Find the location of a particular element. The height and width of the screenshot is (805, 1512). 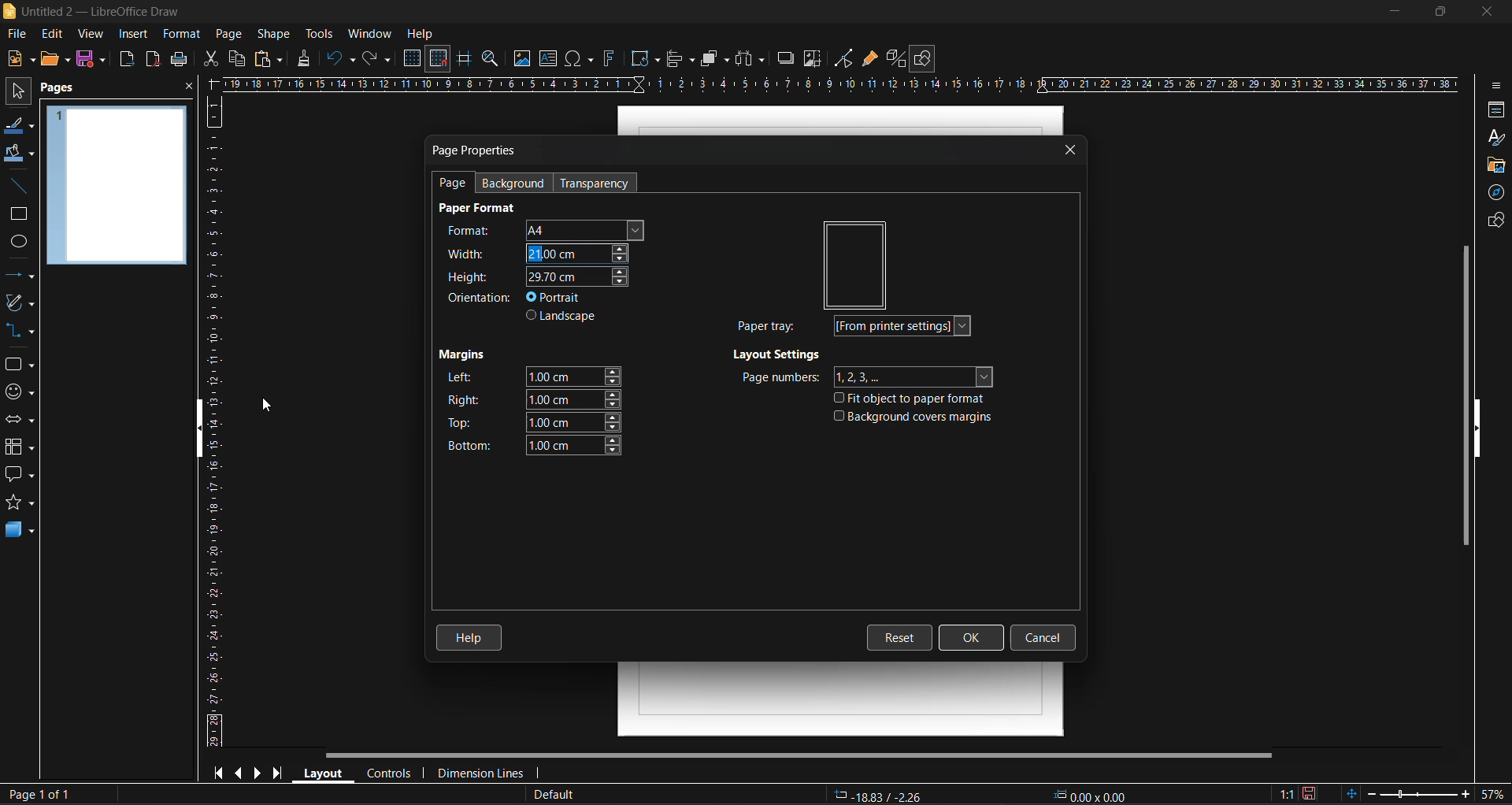

undo is located at coordinates (343, 61).